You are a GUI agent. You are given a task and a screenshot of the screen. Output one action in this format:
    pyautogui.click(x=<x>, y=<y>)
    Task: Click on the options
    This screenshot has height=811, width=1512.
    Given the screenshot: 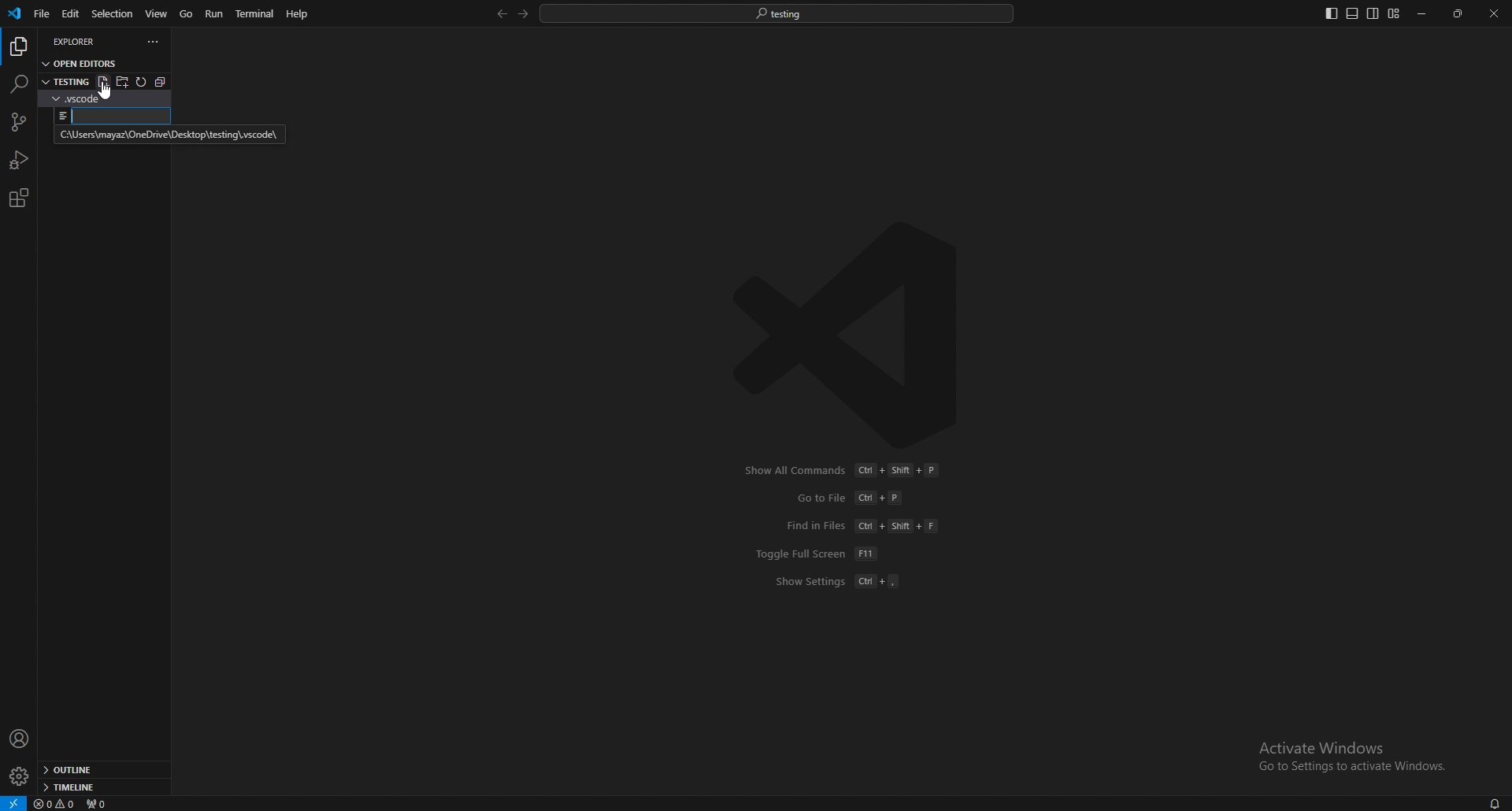 What is the action you would take?
    pyautogui.click(x=154, y=42)
    